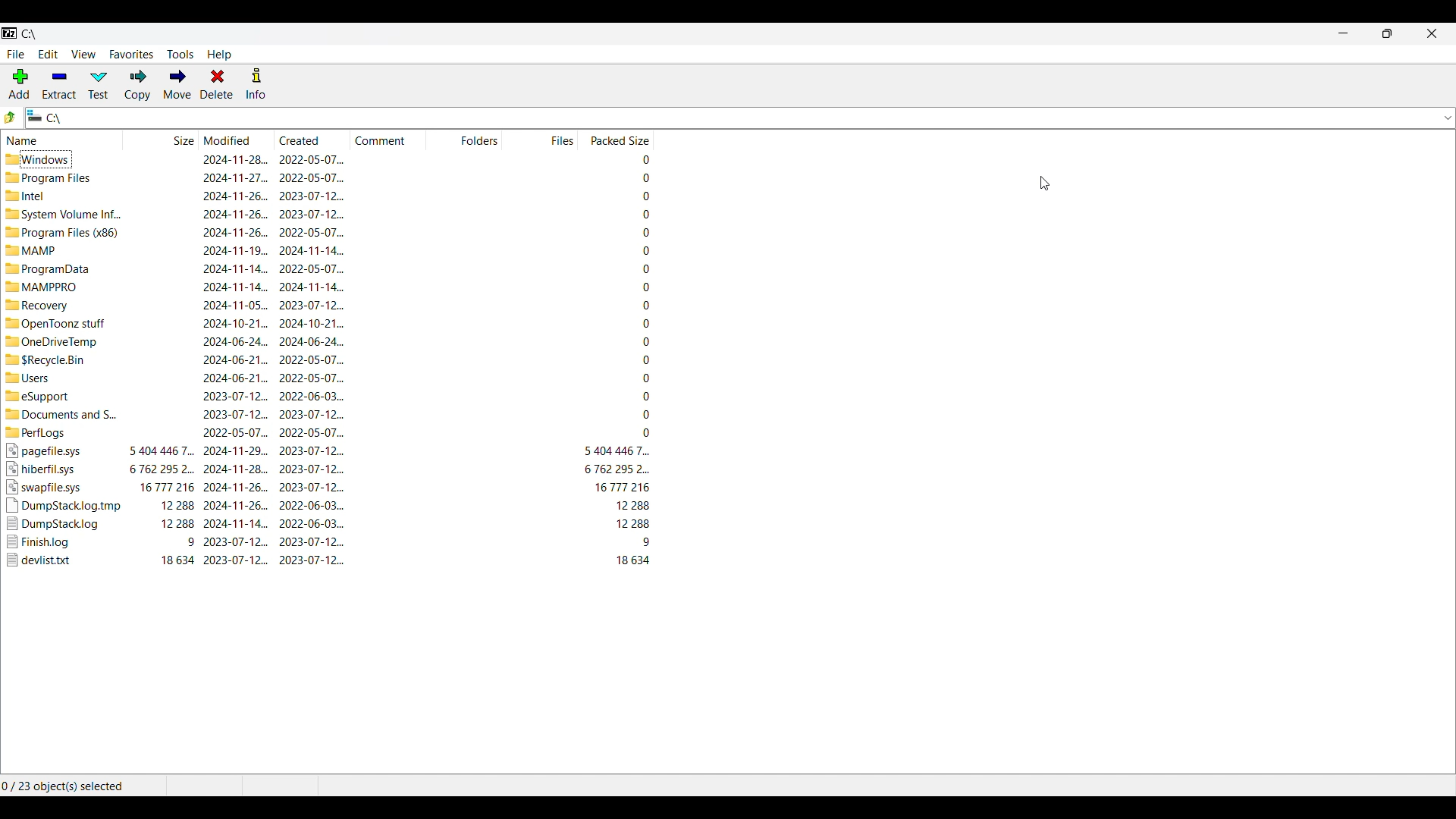 The height and width of the screenshot is (819, 1456). What do you see at coordinates (48, 54) in the screenshot?
I see `Edit menu` at bounding box center [48, 54].